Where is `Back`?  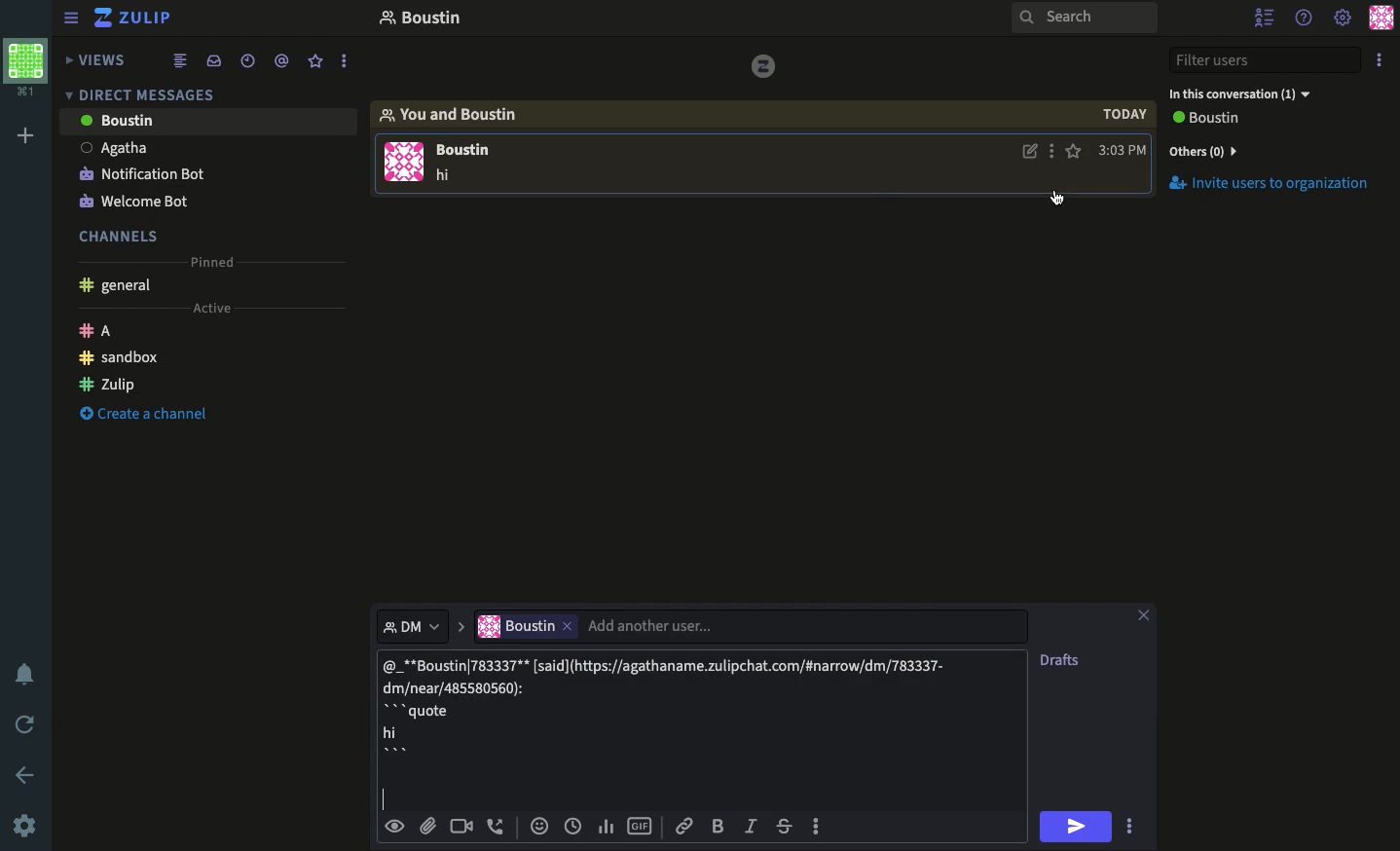 Back is located at coordinates (26, 773).